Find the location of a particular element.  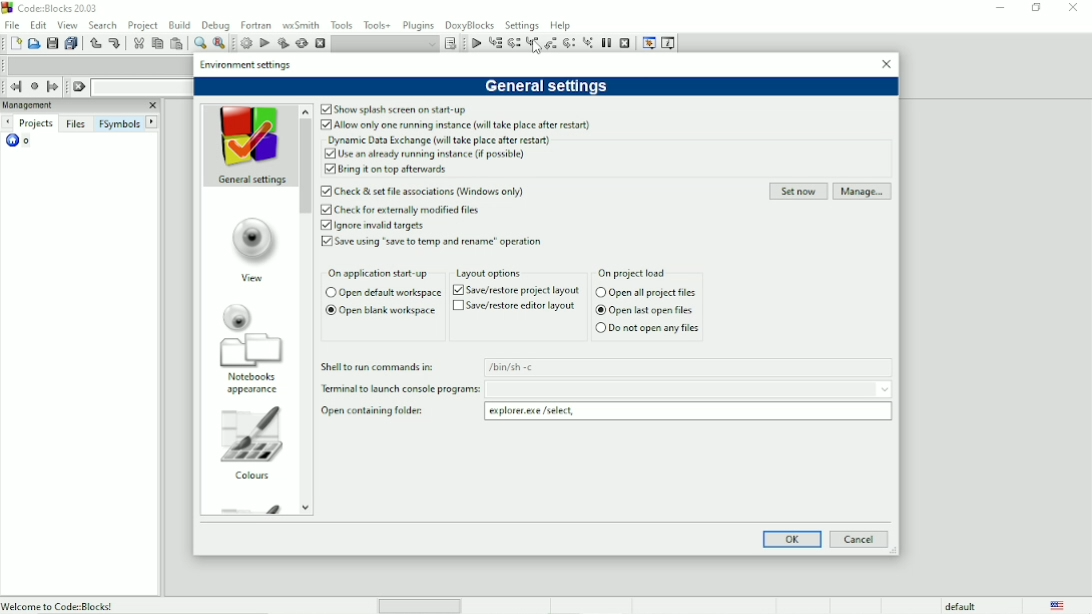

DoxyBlocks is located at coordinates (468, 25).